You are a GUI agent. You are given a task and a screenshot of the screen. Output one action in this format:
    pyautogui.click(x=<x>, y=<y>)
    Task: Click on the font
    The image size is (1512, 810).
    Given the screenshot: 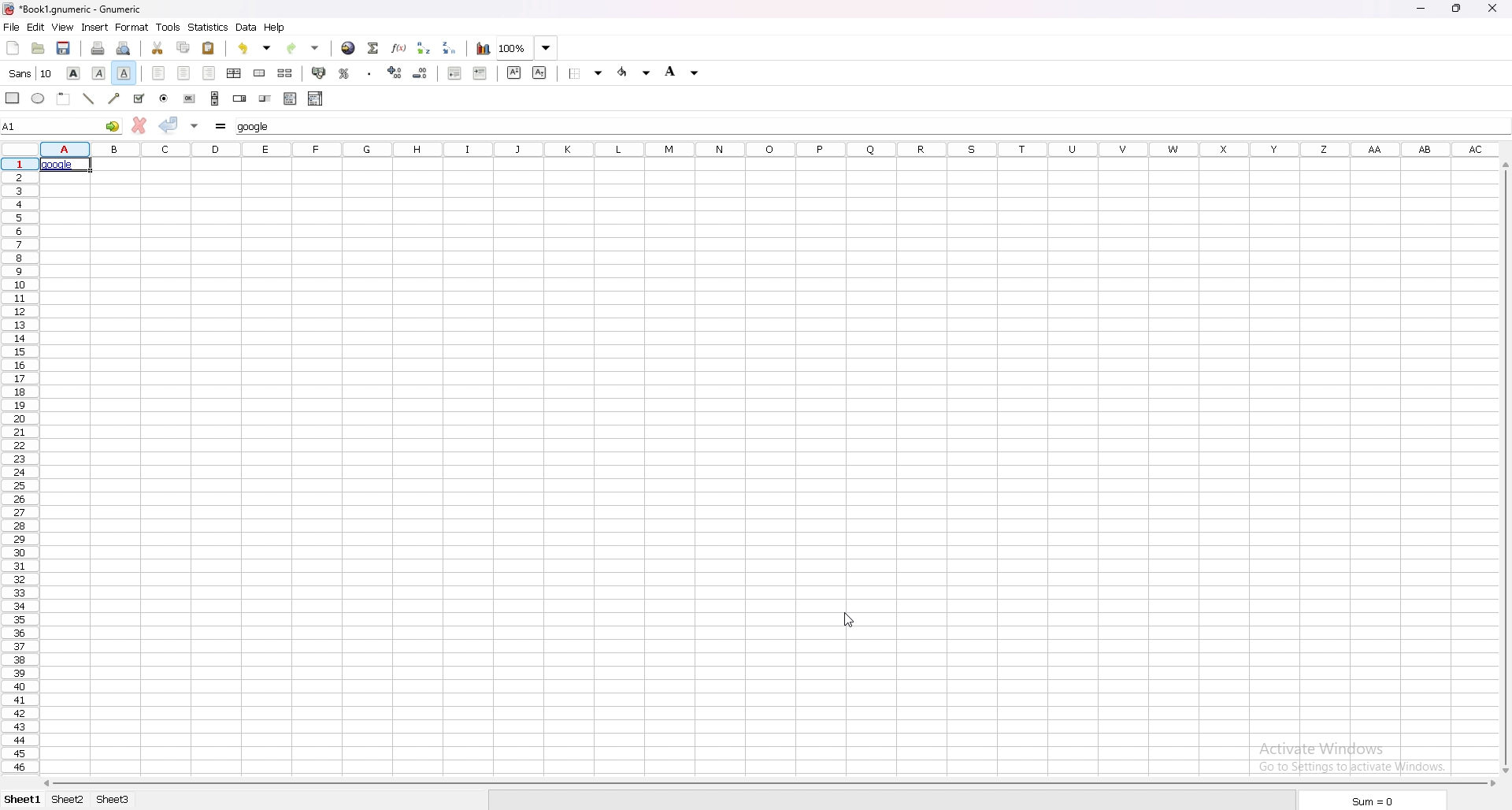 What is the action you would take?
    pyautogui.click(x=31, y=73)
    